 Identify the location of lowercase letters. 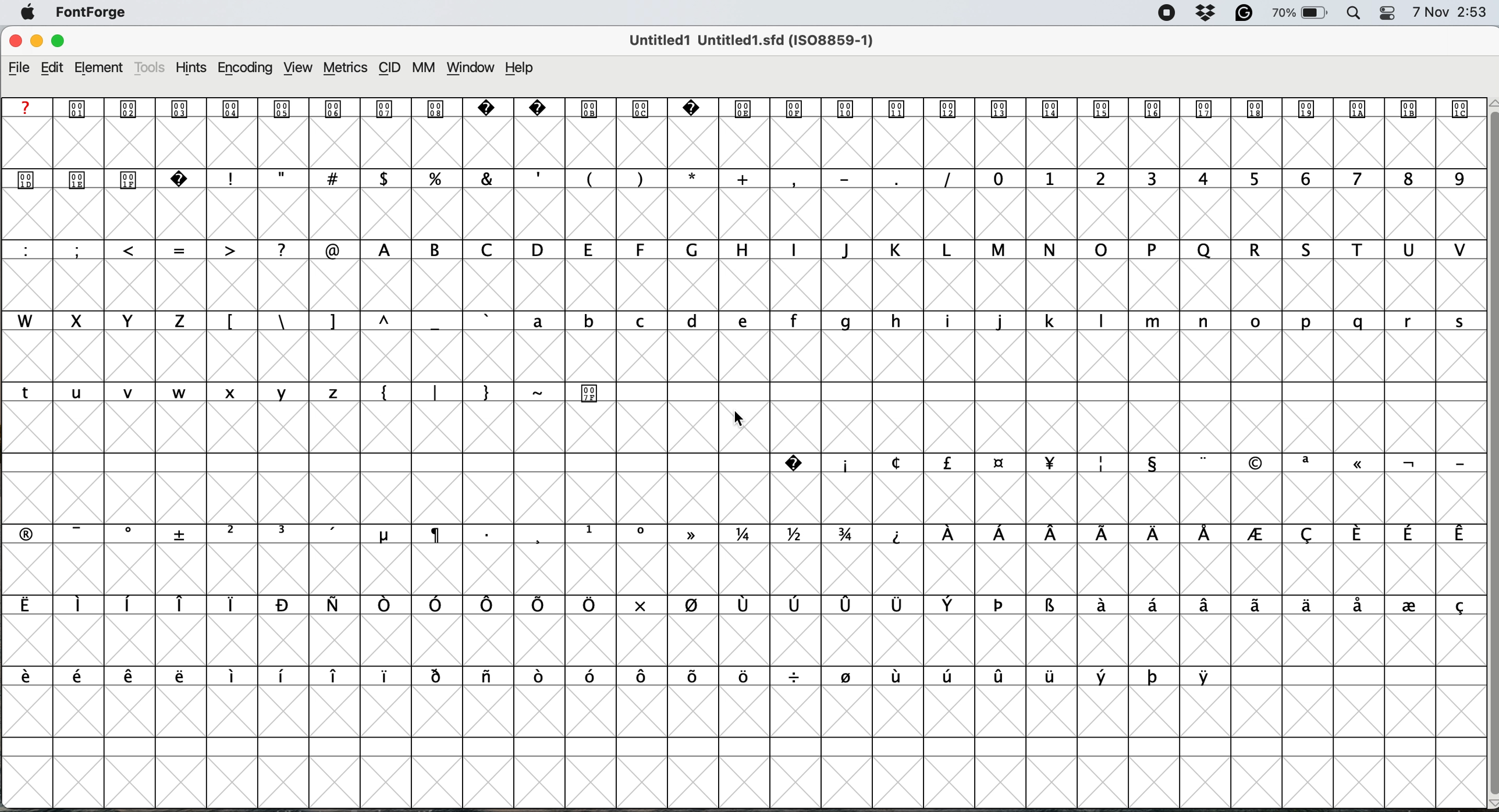
(992, 320).